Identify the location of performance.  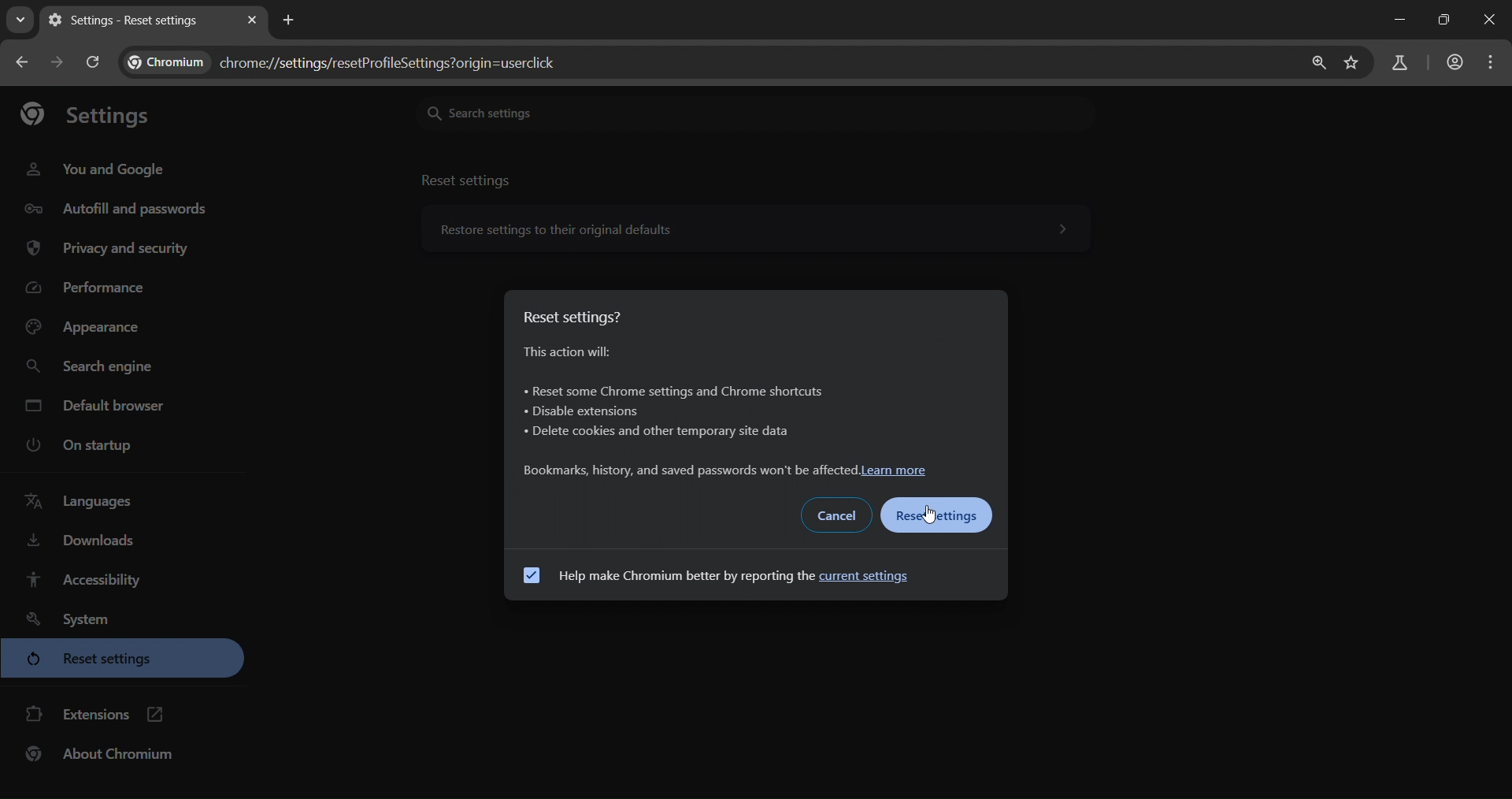
(91, 284).